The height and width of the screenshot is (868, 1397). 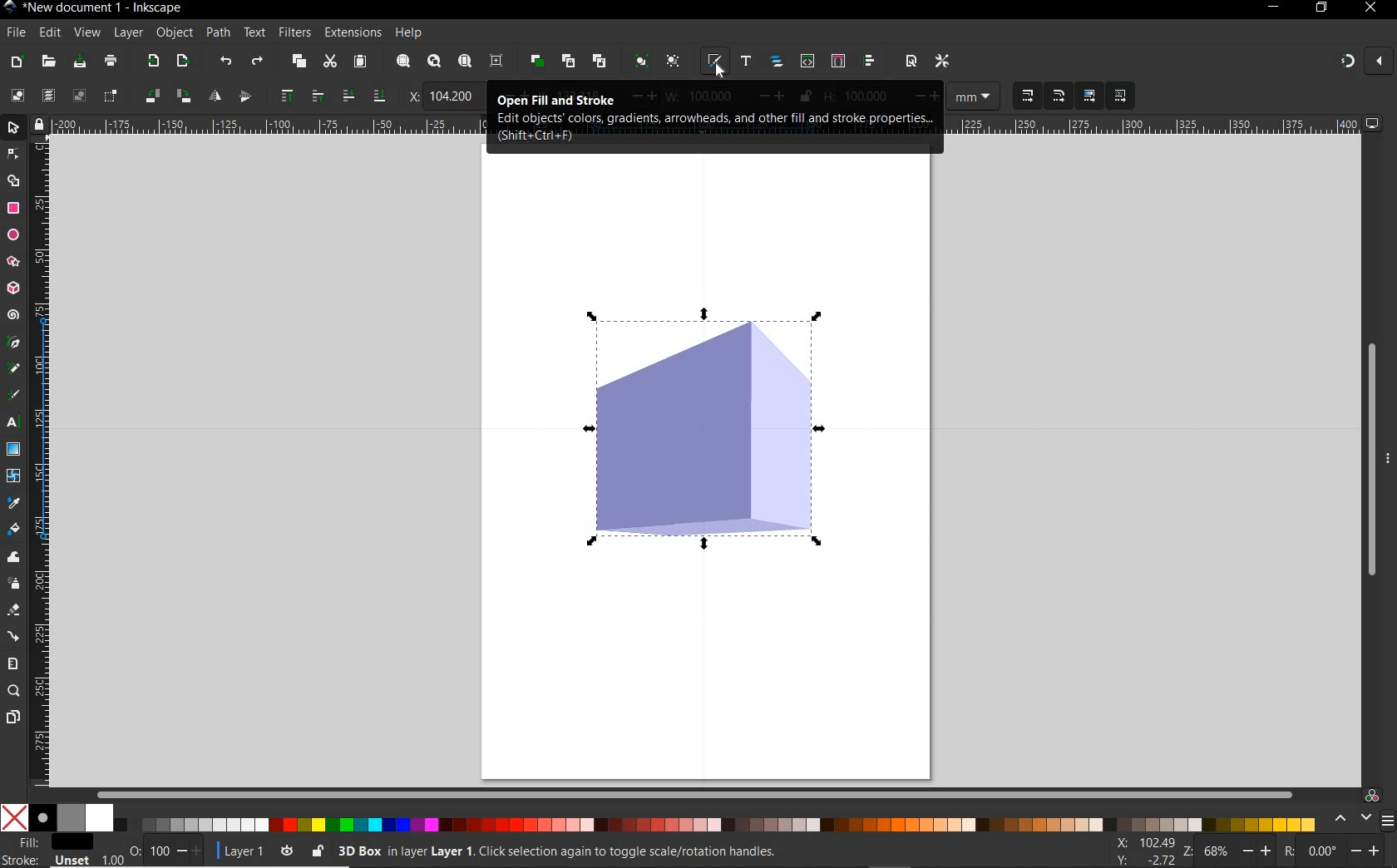 What do you see at coordinates (711, 116) in the screenshot?
I see `OPEN FILL AND STROKE` at bounding box center [711, 116].